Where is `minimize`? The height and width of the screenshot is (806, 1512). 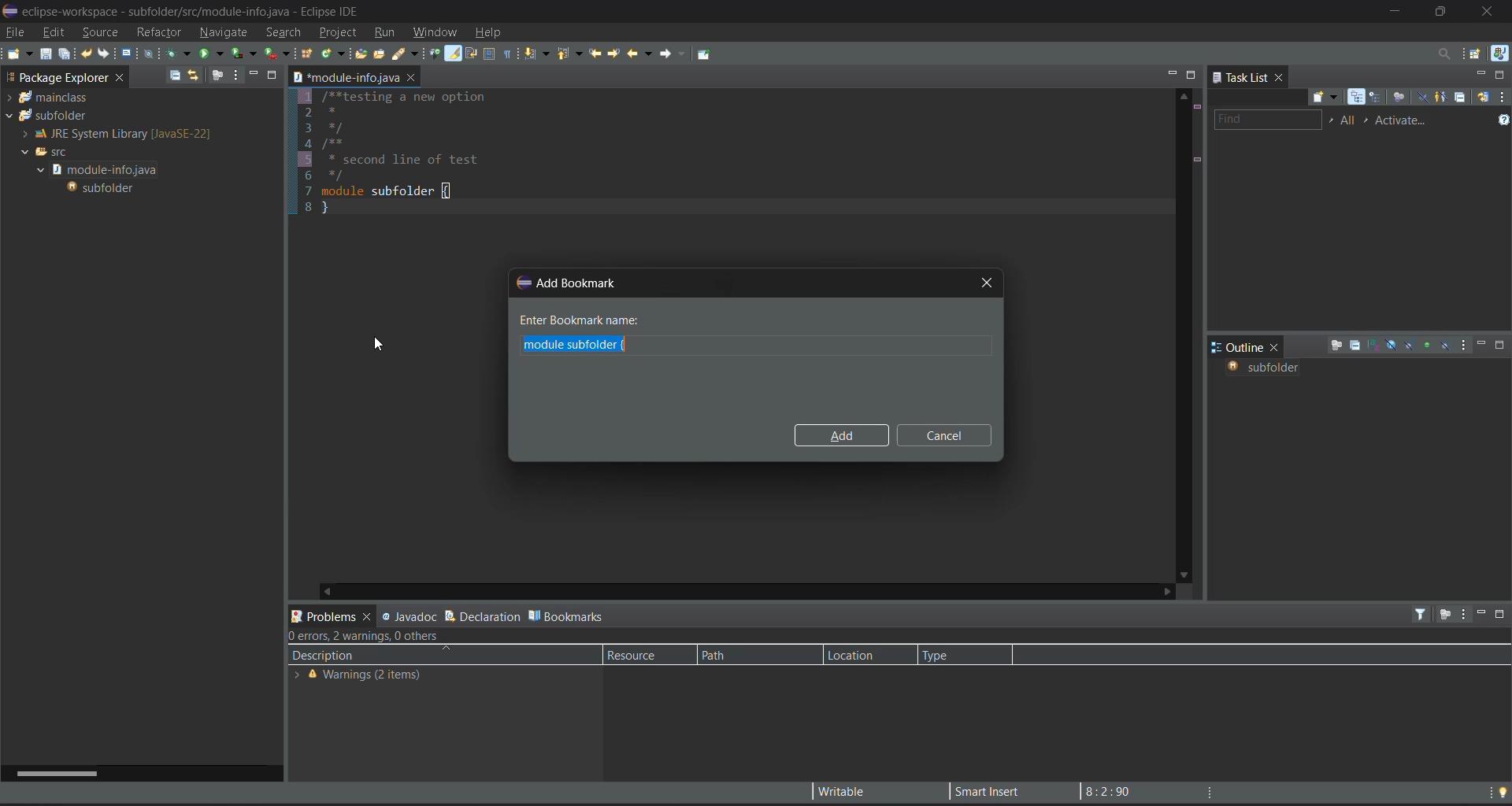 minimize is located at coordinates (1396, 10).